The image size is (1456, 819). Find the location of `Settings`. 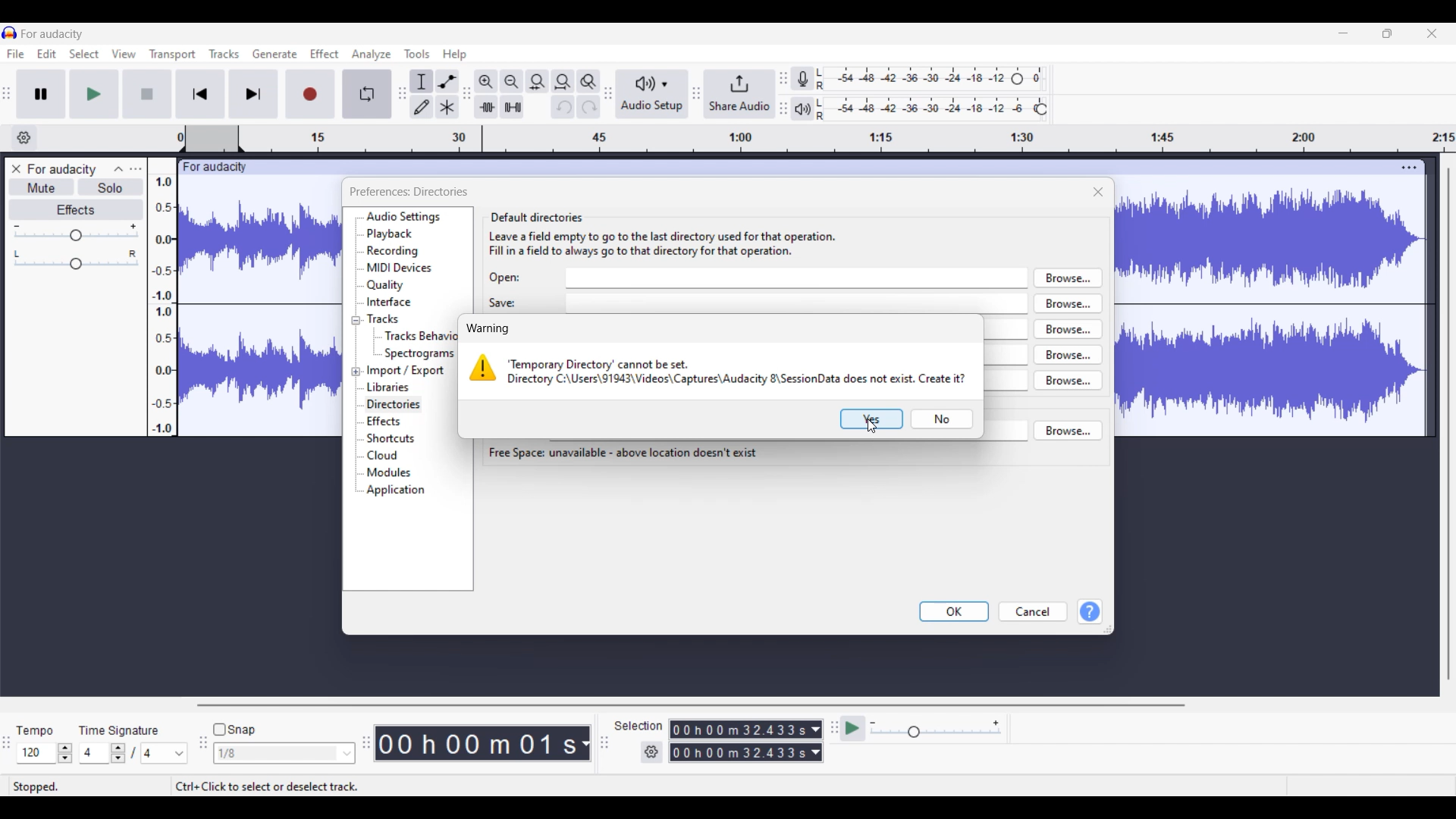

Settings is located at coordinates (652, 752).